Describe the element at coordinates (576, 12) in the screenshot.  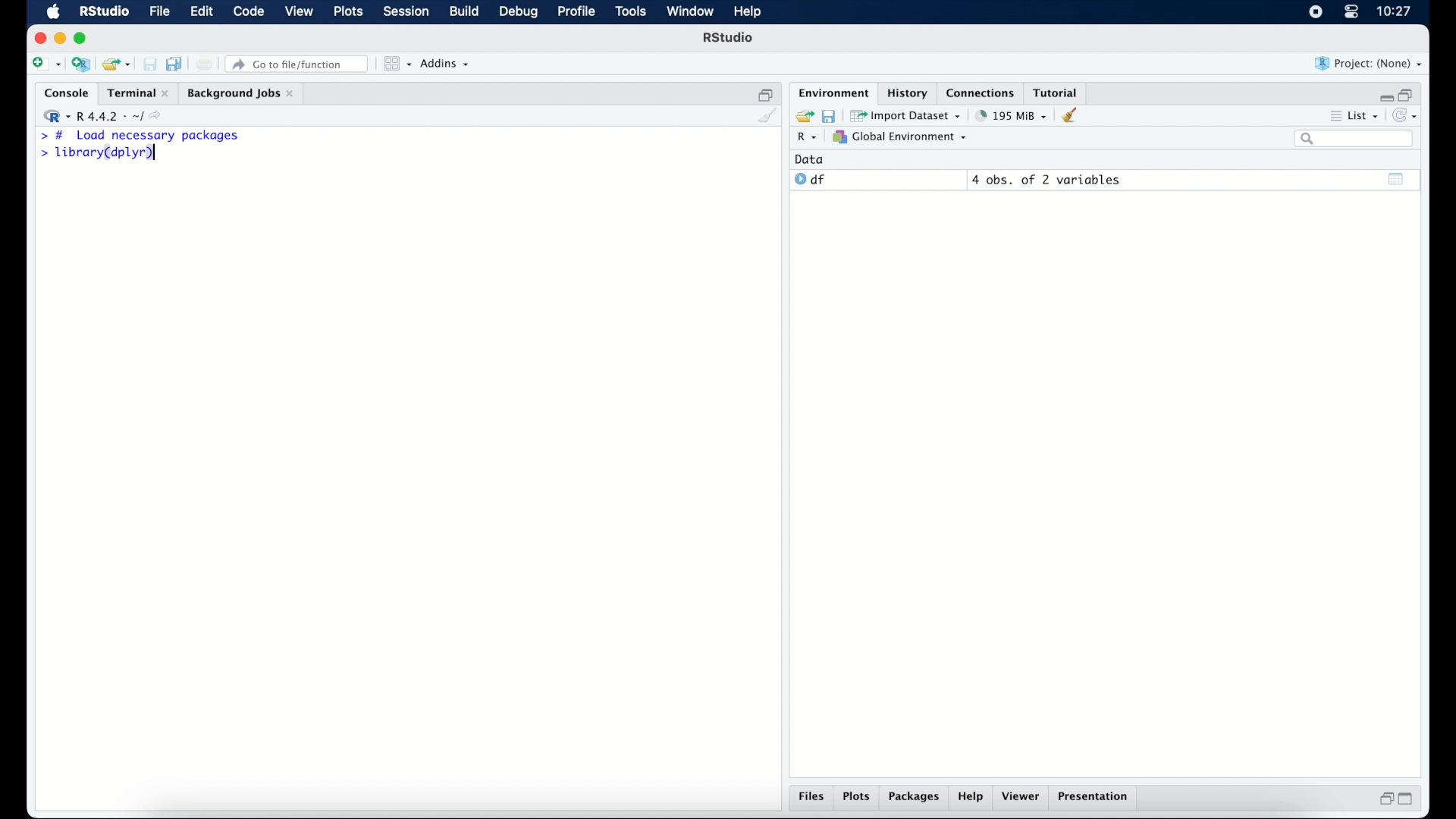
I see `profile` at that location.